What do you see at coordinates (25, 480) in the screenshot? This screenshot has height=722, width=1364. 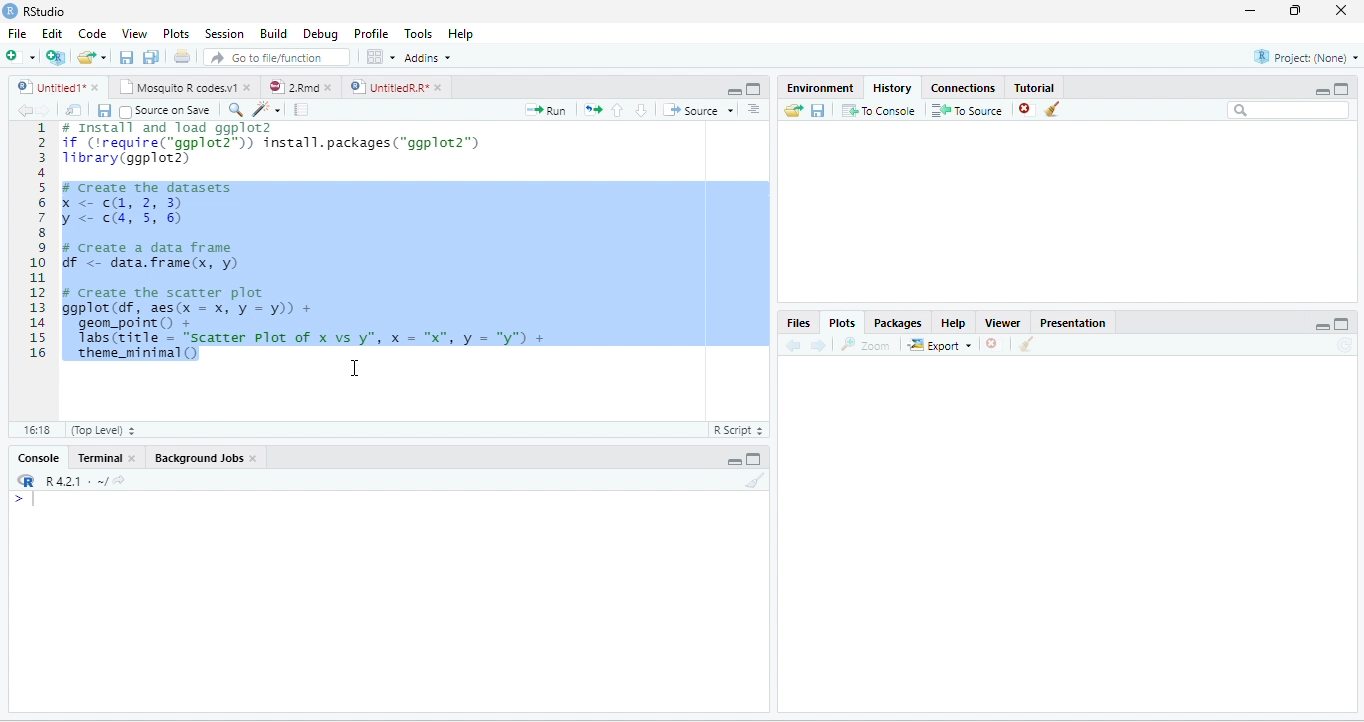 I see `R` at bounding box center [25, 480].